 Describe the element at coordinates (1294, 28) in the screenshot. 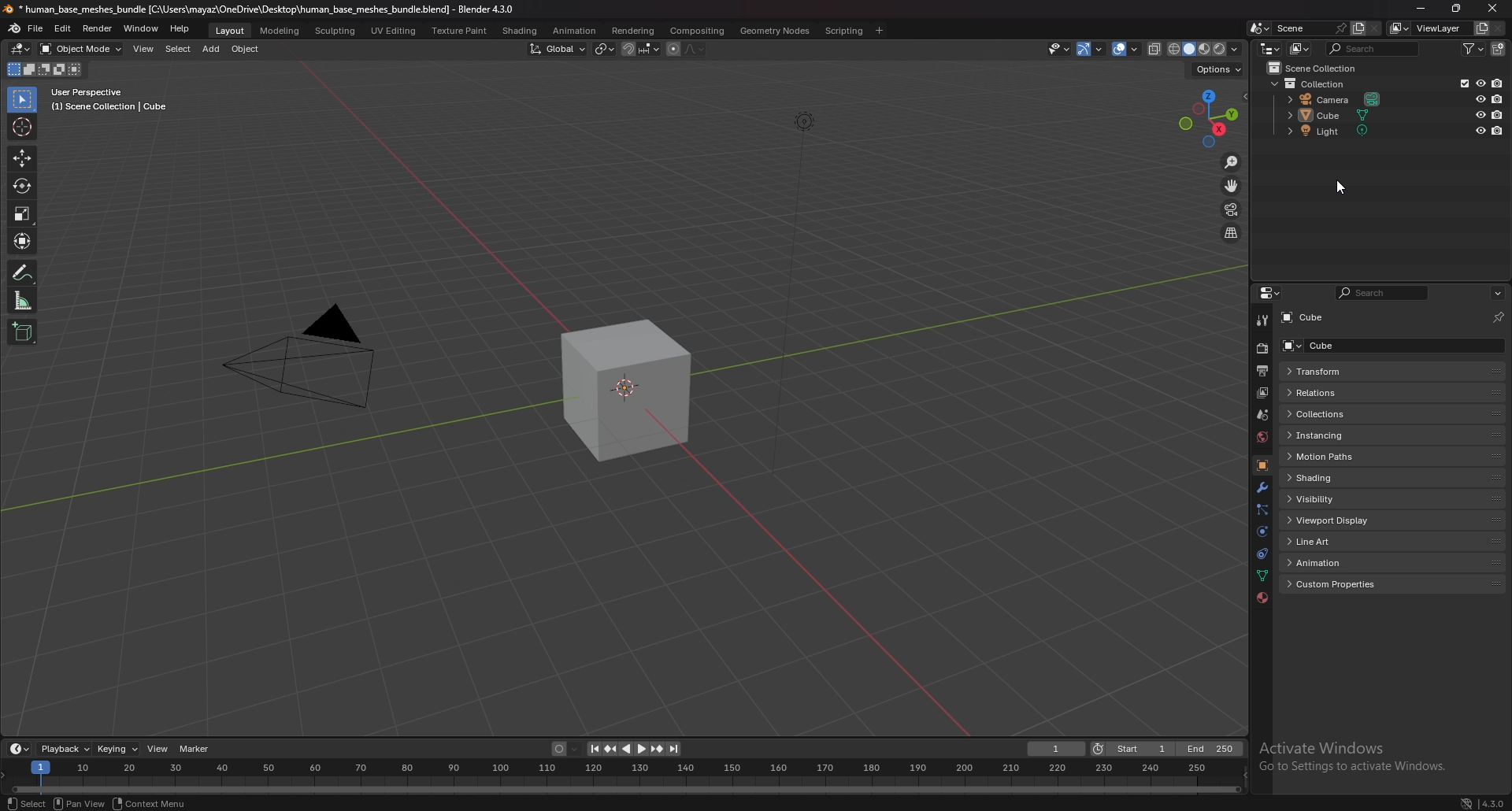

I see `scene` at that location.